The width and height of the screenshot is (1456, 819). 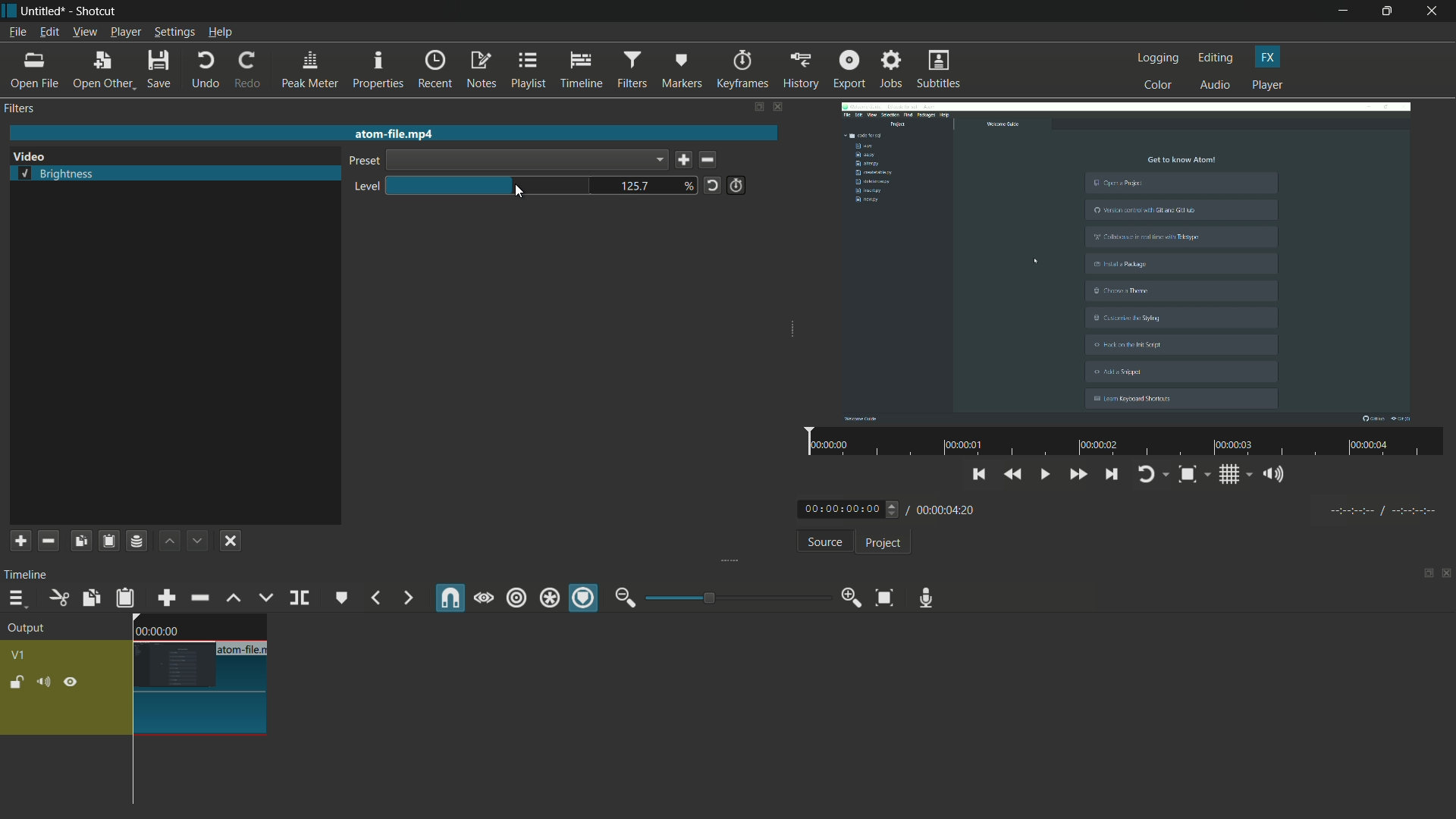 I want to click on file menu, so click(x=17, y=32).